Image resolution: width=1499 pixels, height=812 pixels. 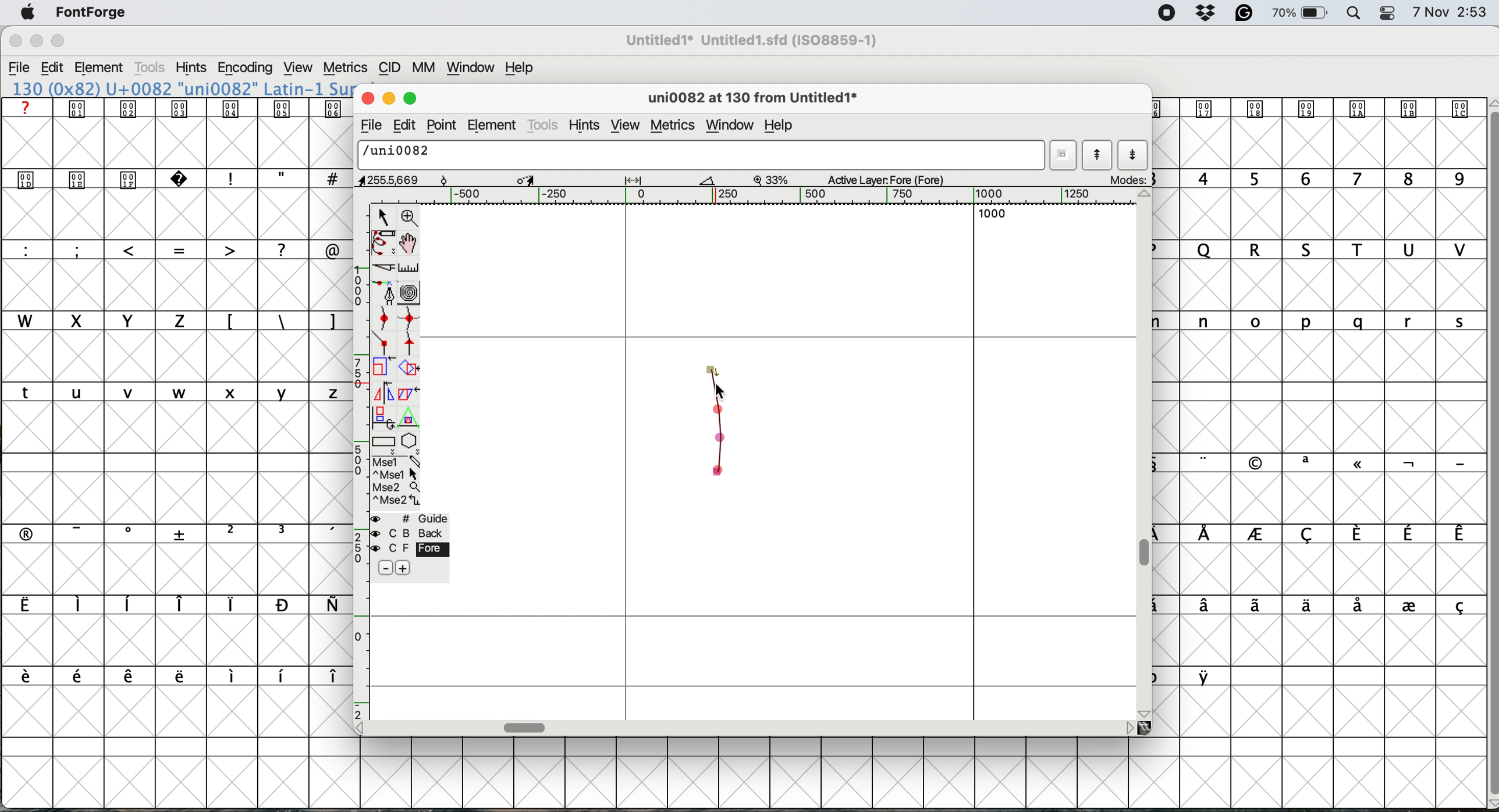 I want to click on measure distance, so click(x=409, y=267).